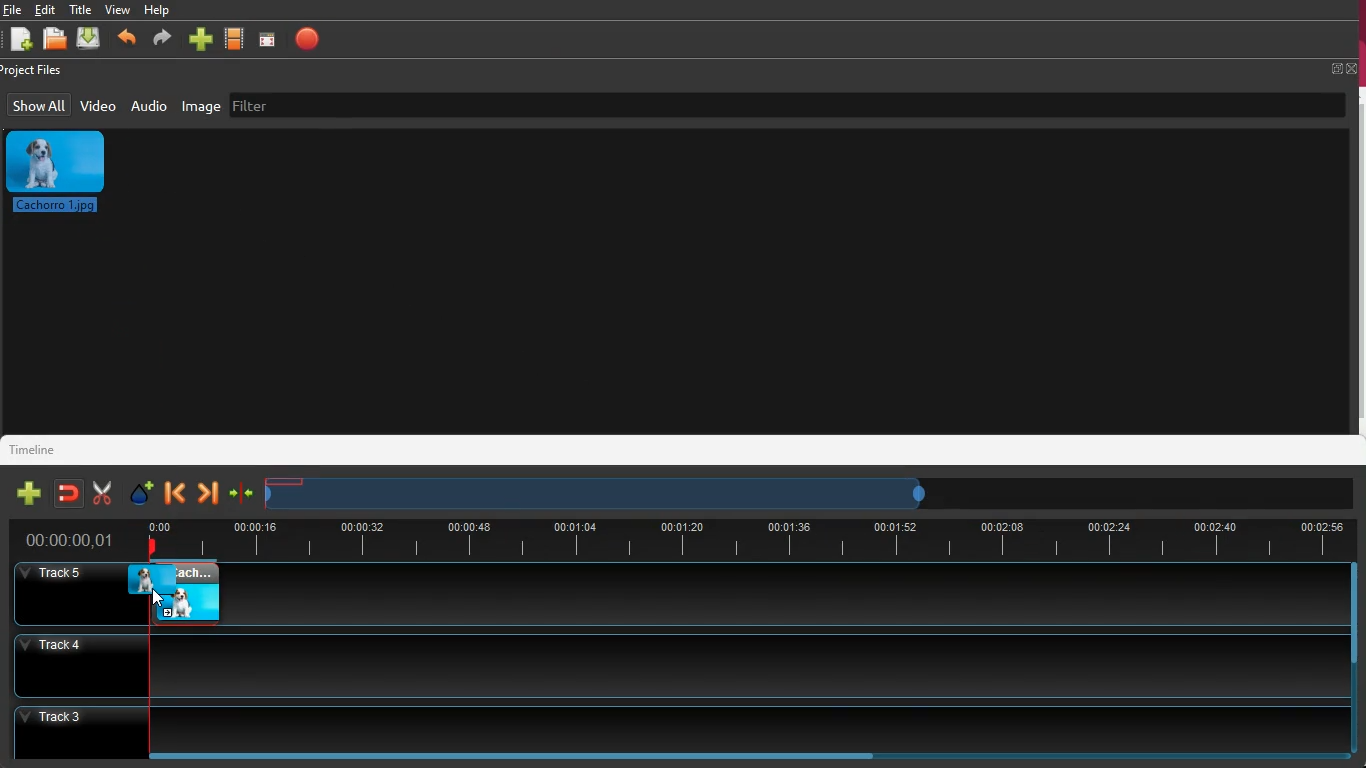  I want to click on cut, so click(101, 491).